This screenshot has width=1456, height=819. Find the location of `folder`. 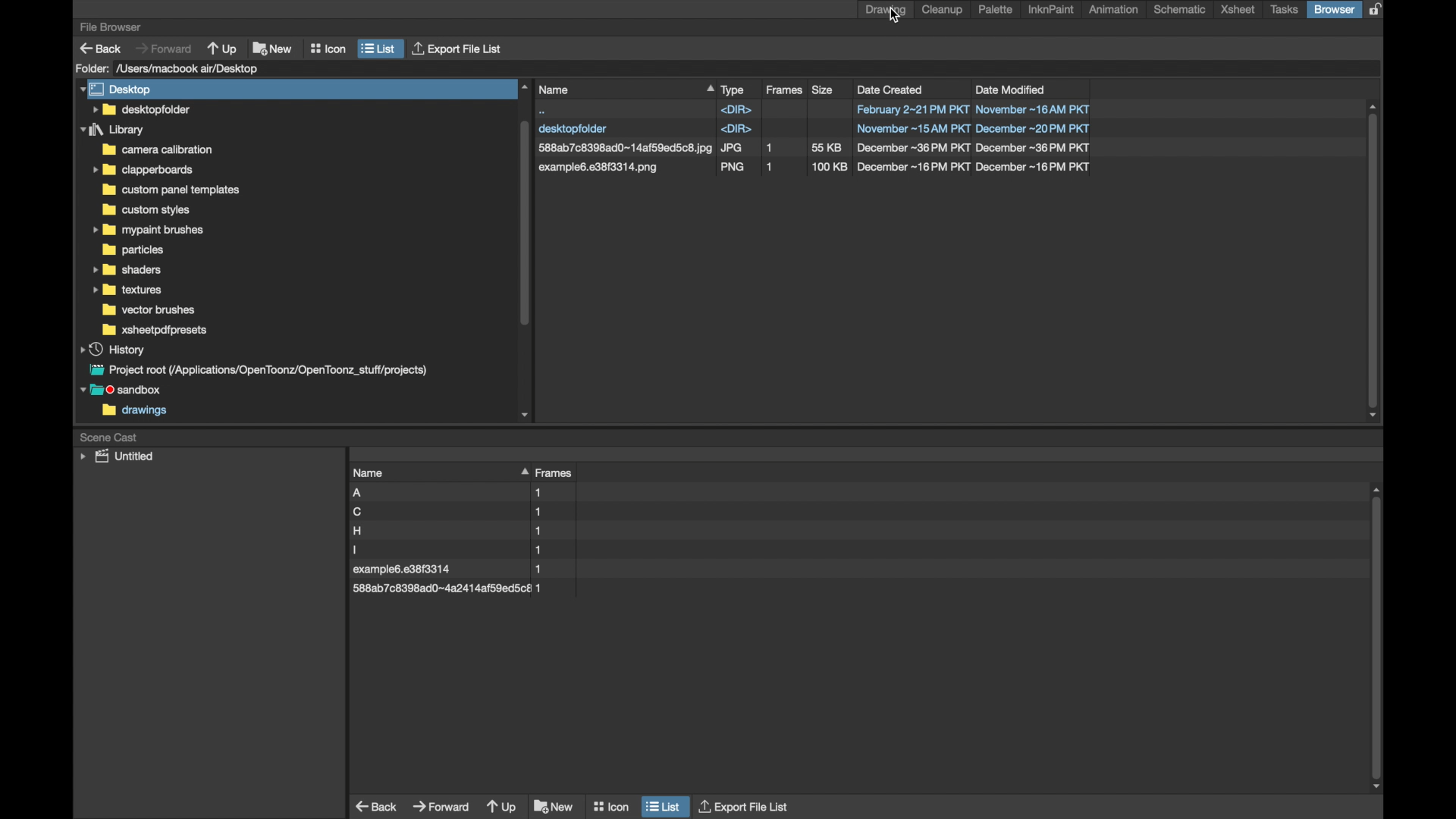

folder is located at coordinates (128, 290).